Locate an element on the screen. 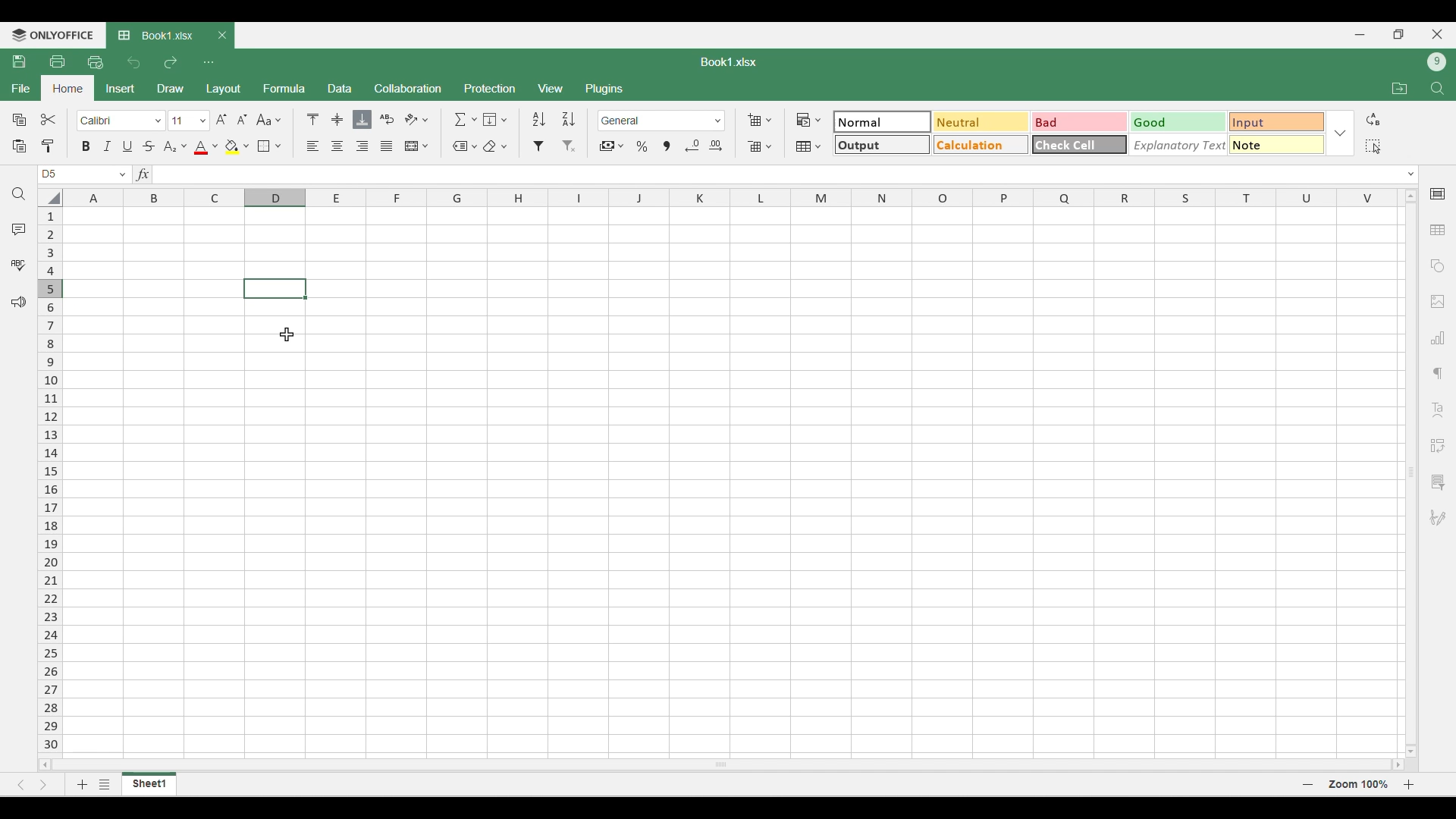  File menu is located at coordinates (20, 88).